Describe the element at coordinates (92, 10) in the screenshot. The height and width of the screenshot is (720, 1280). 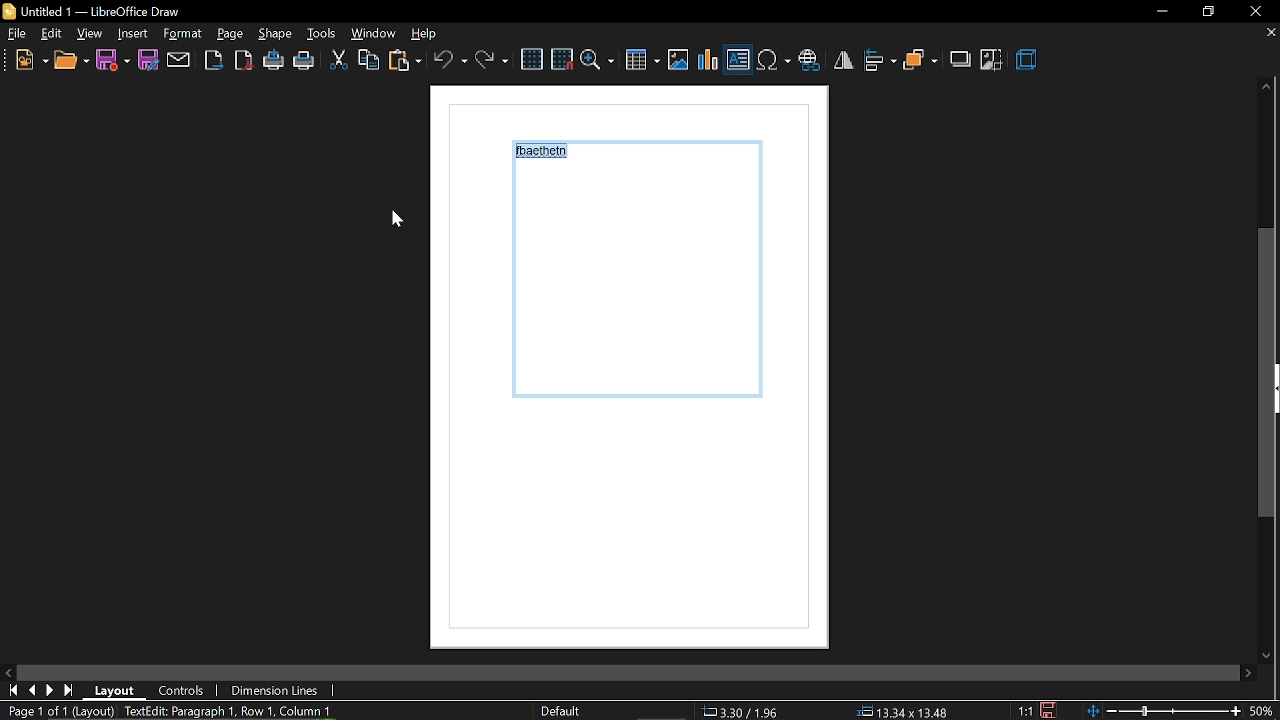
I see `Untitled 1 - LibreOffice Draw` at that location.